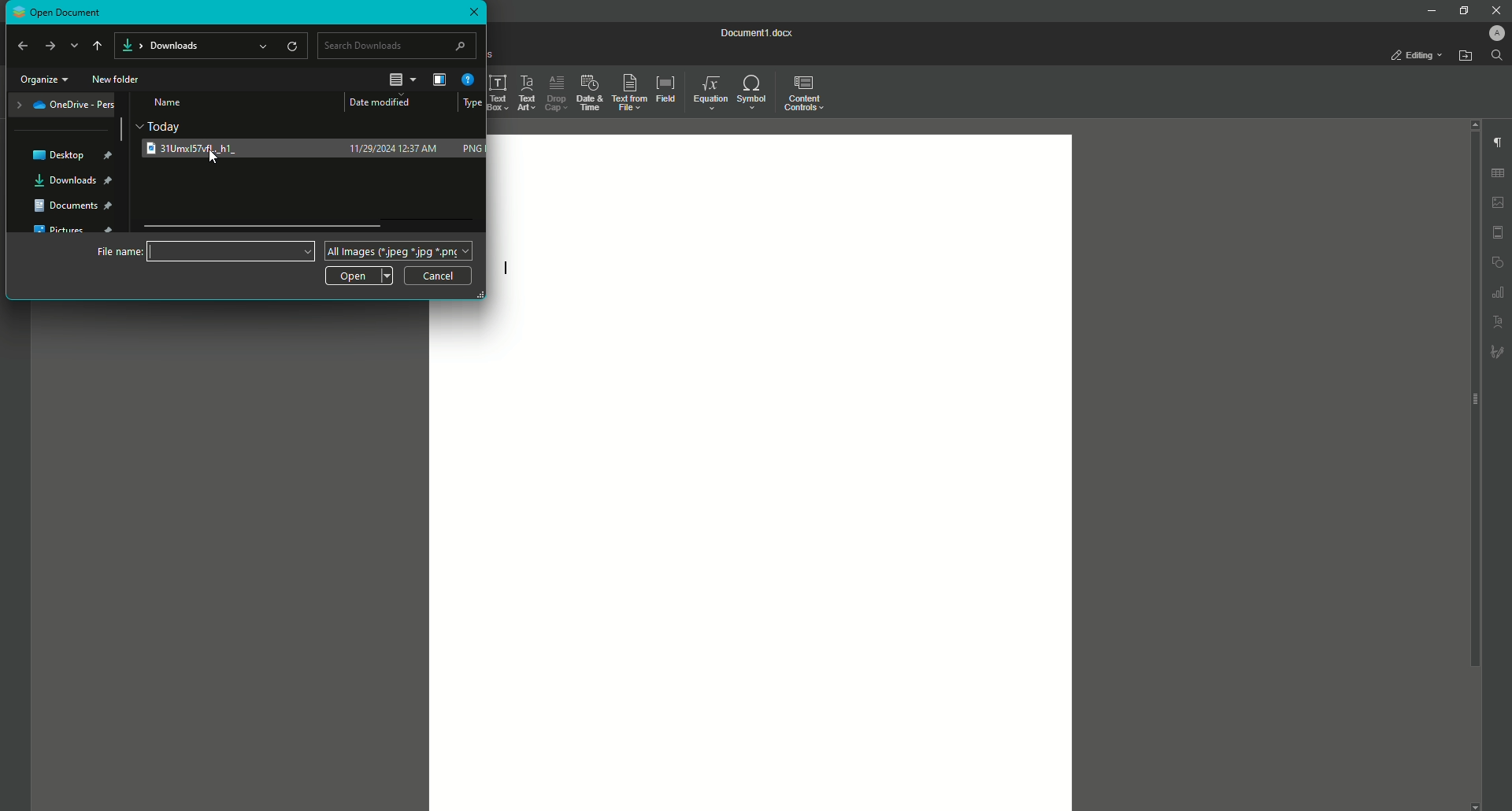  Describe the element at coordinates (507, 268) in the screenshot. I see `text cursor` at that location.